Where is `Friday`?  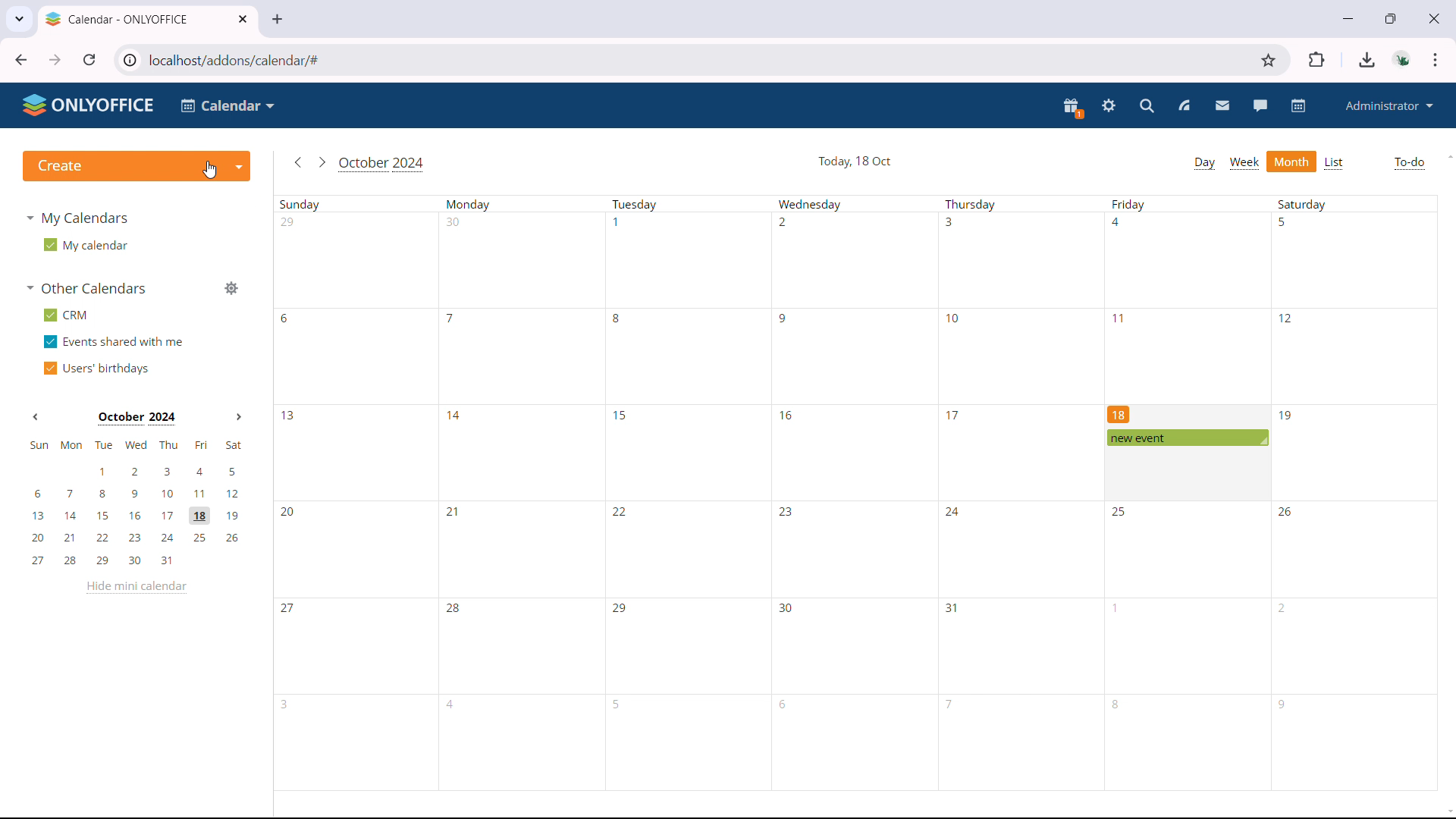 Friday is located at coordinates (1129, 205).